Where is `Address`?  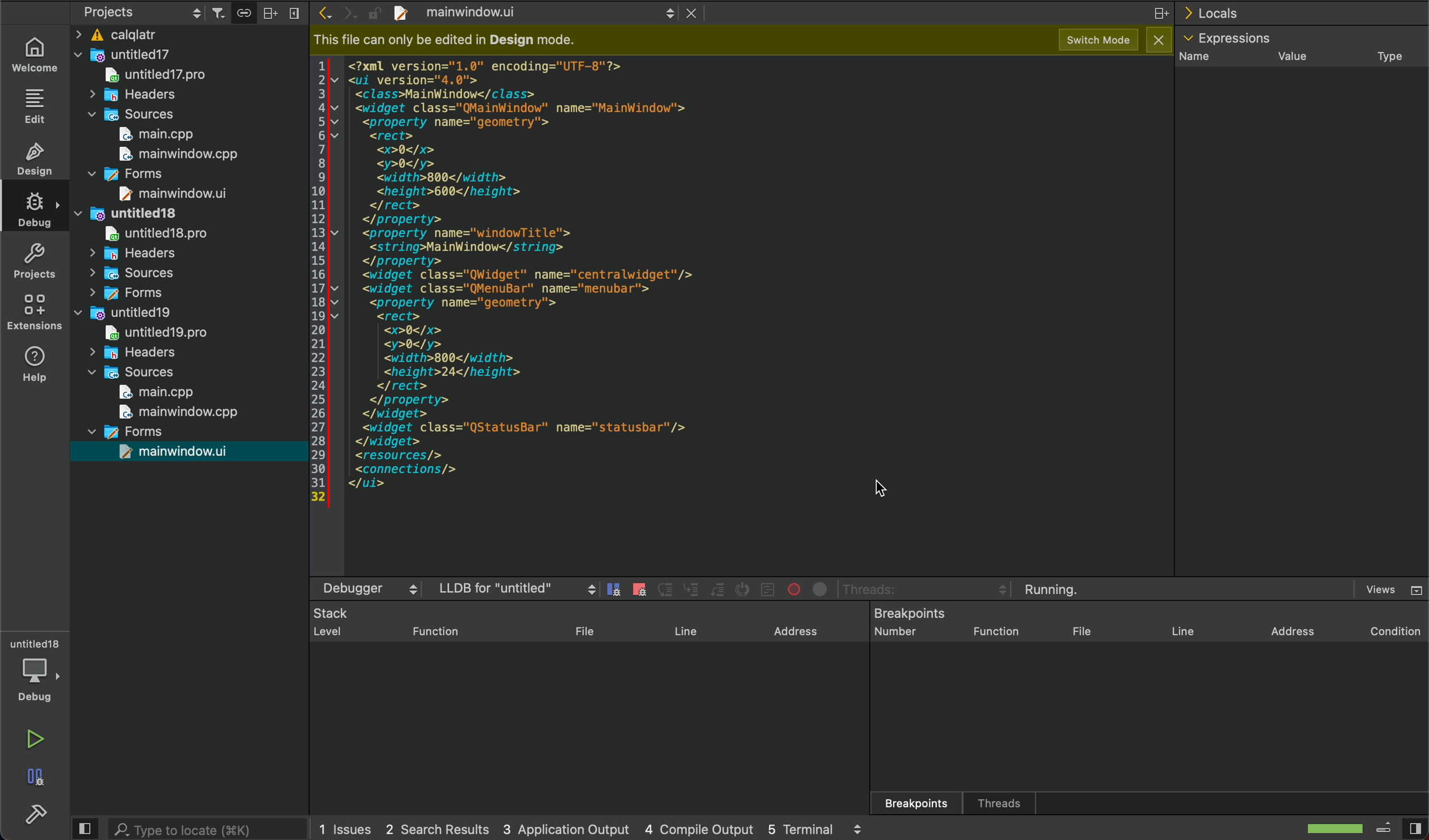
Address is located at coordinates (1284, 626).